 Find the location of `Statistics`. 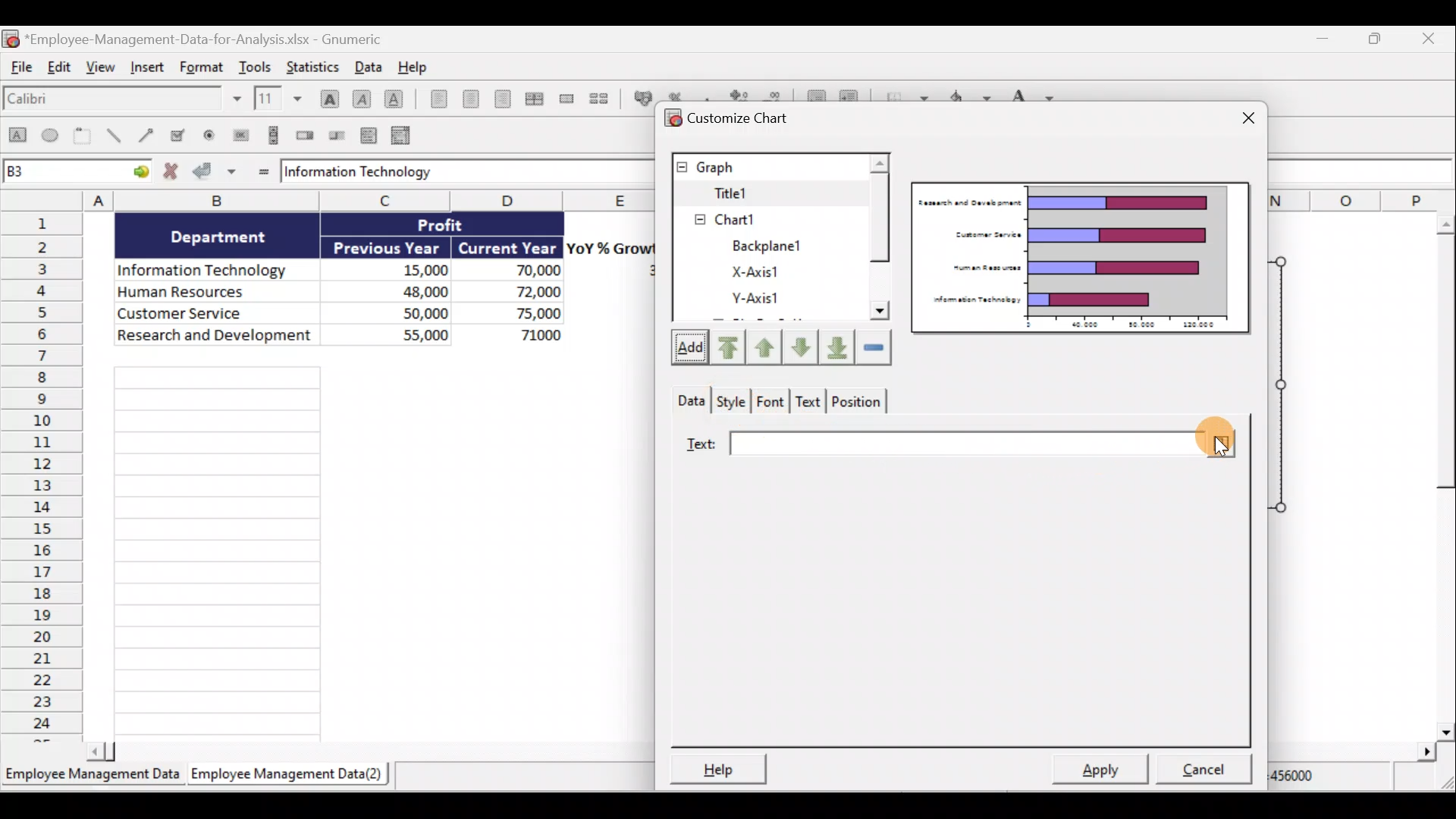

Statistics is located at coordinates (317, 66).